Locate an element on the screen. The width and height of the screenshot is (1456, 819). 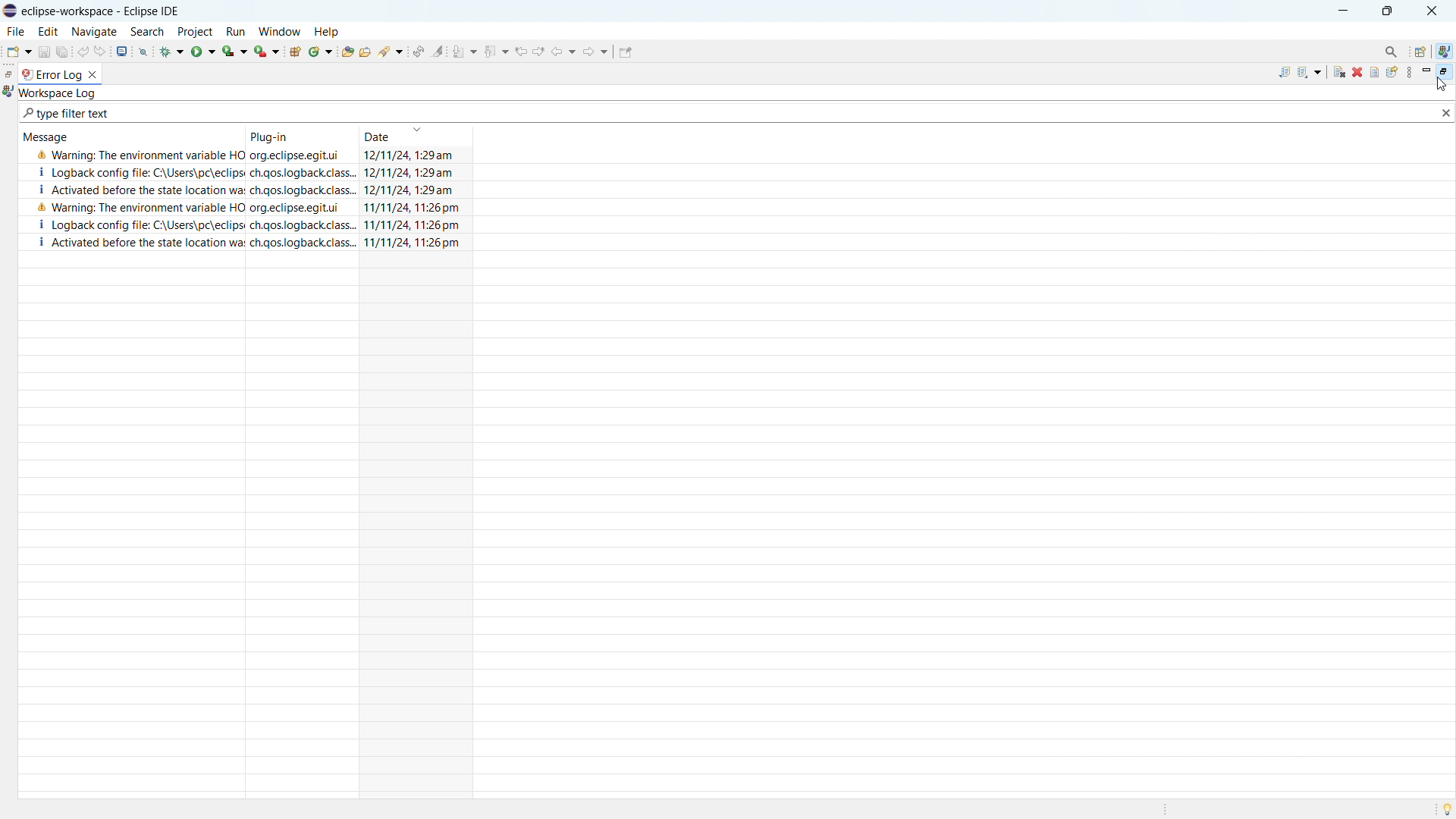
close is located at coordinates (1446, 114).